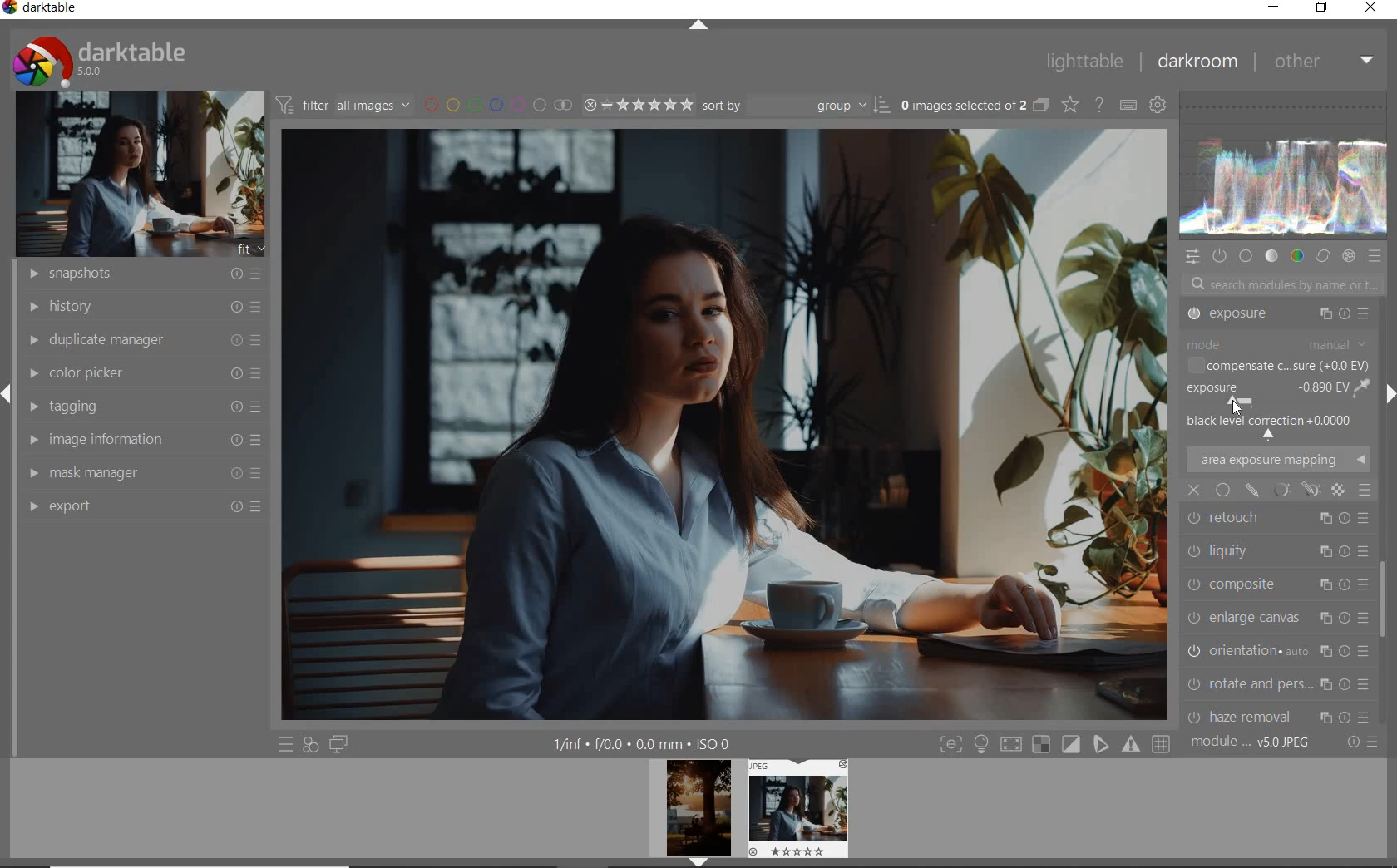 The height and width of the screenshot is (868, 1397). I want to click on SYSTEM NAME, so click(42, 11).